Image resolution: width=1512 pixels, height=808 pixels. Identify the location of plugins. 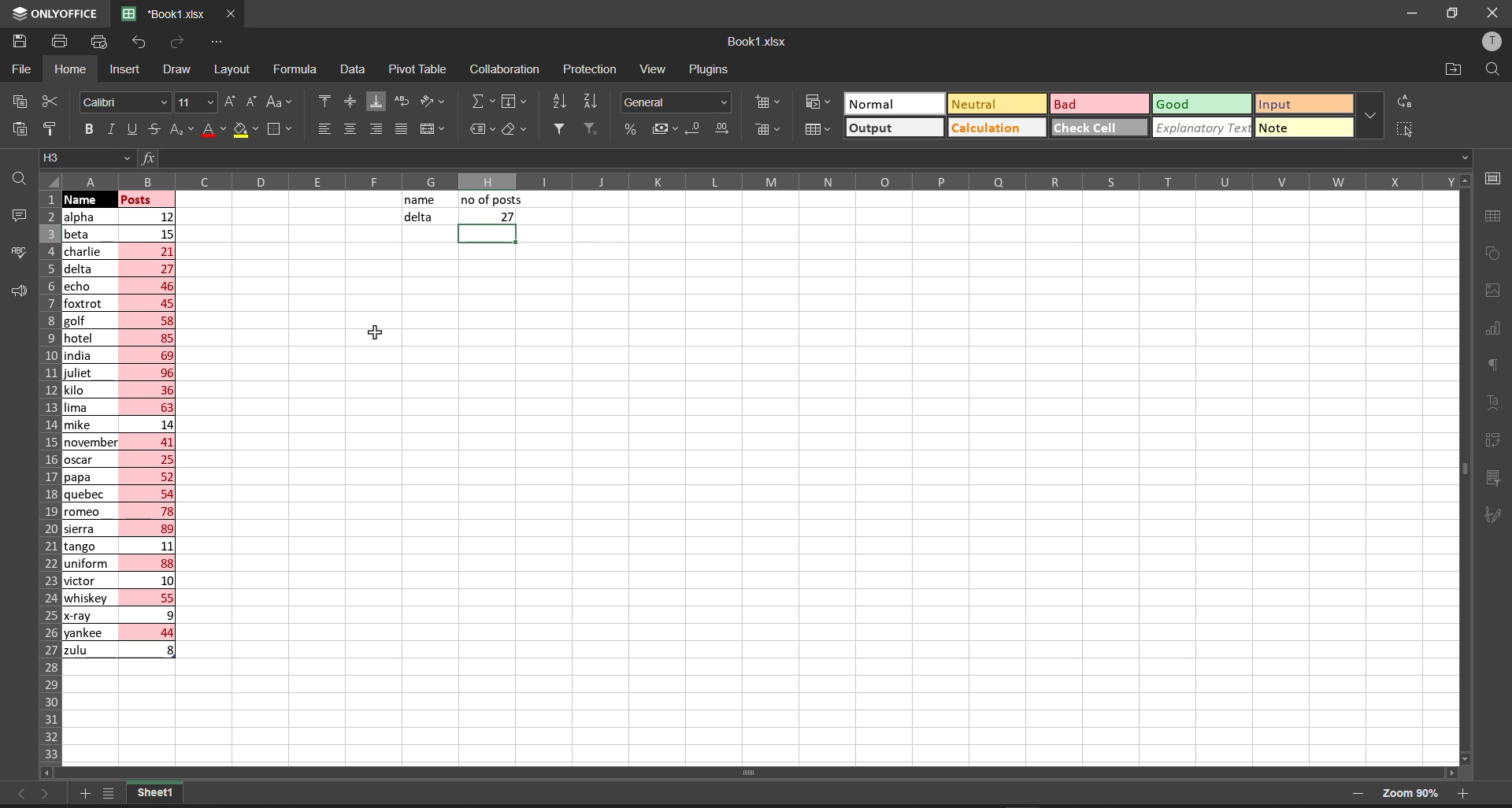
(710, 69).